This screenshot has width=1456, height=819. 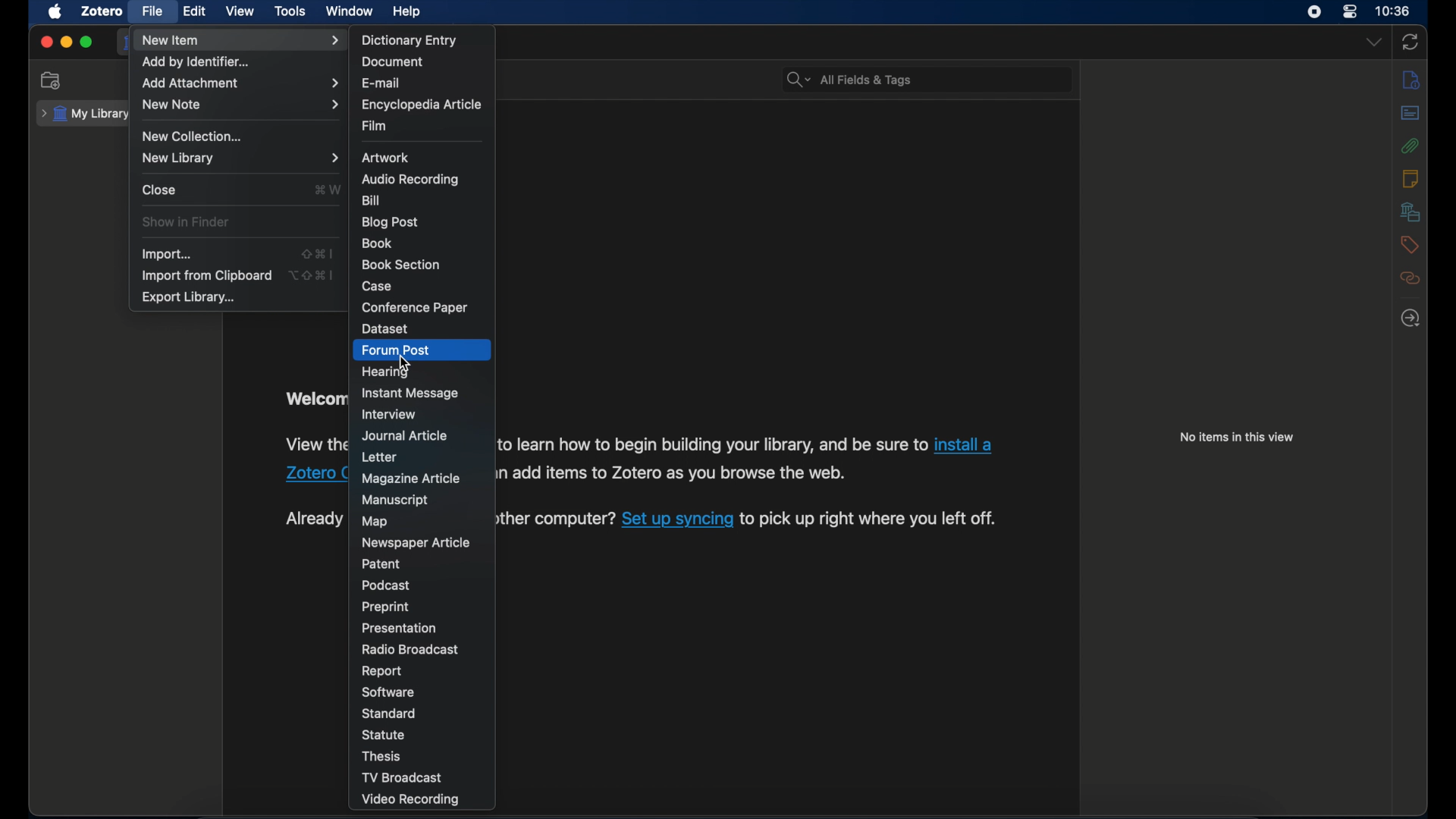 What do you see at coordinates (409, 649) in the screenshot?
I see `radio broadcast` at bounding box center [409, 649].